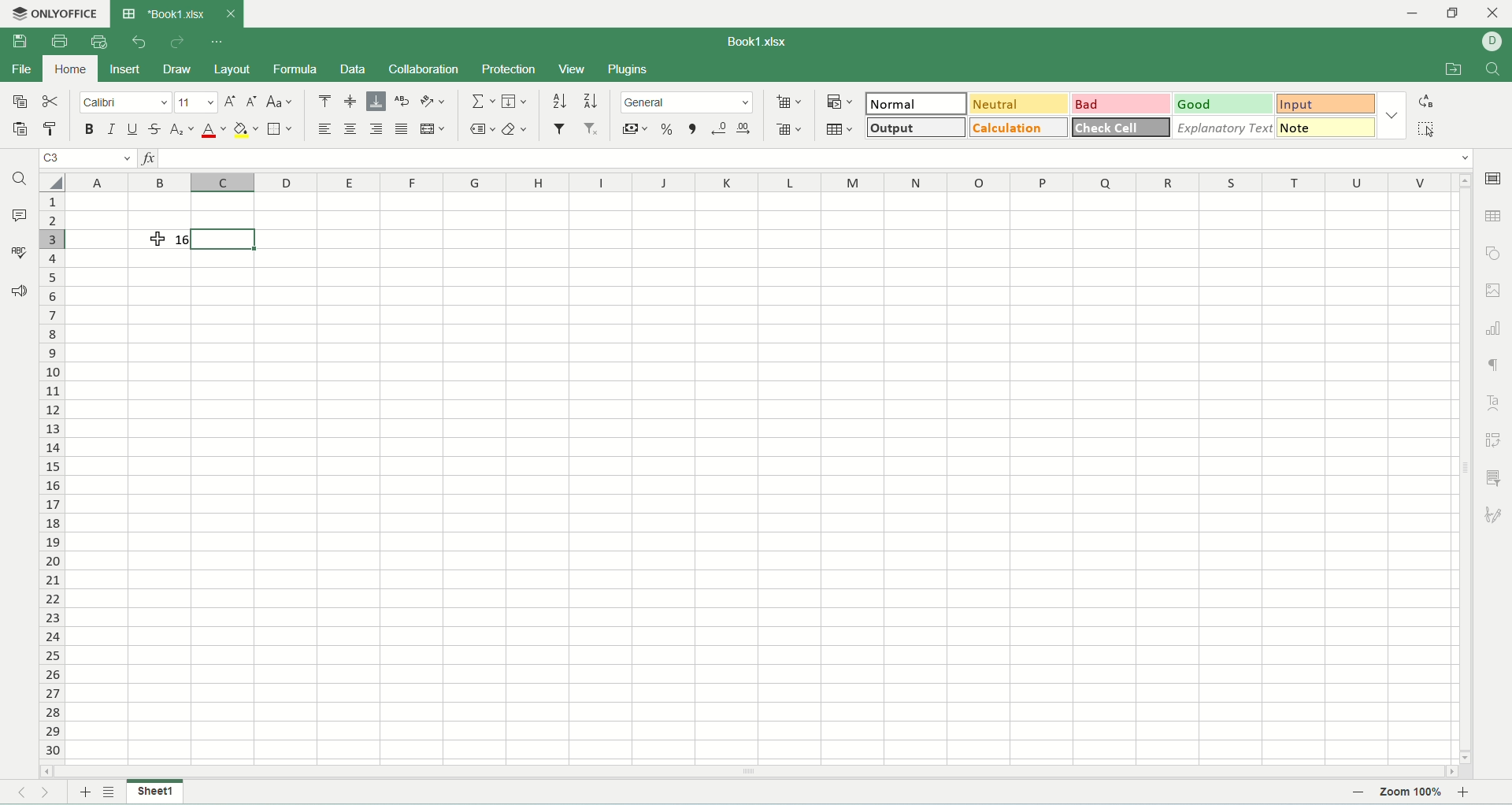 This screenshot has width=1512, height=805. What do you see at coordinates (1493, 14) in the screenshot?
I see `close` at bounding box center [1493, 14].